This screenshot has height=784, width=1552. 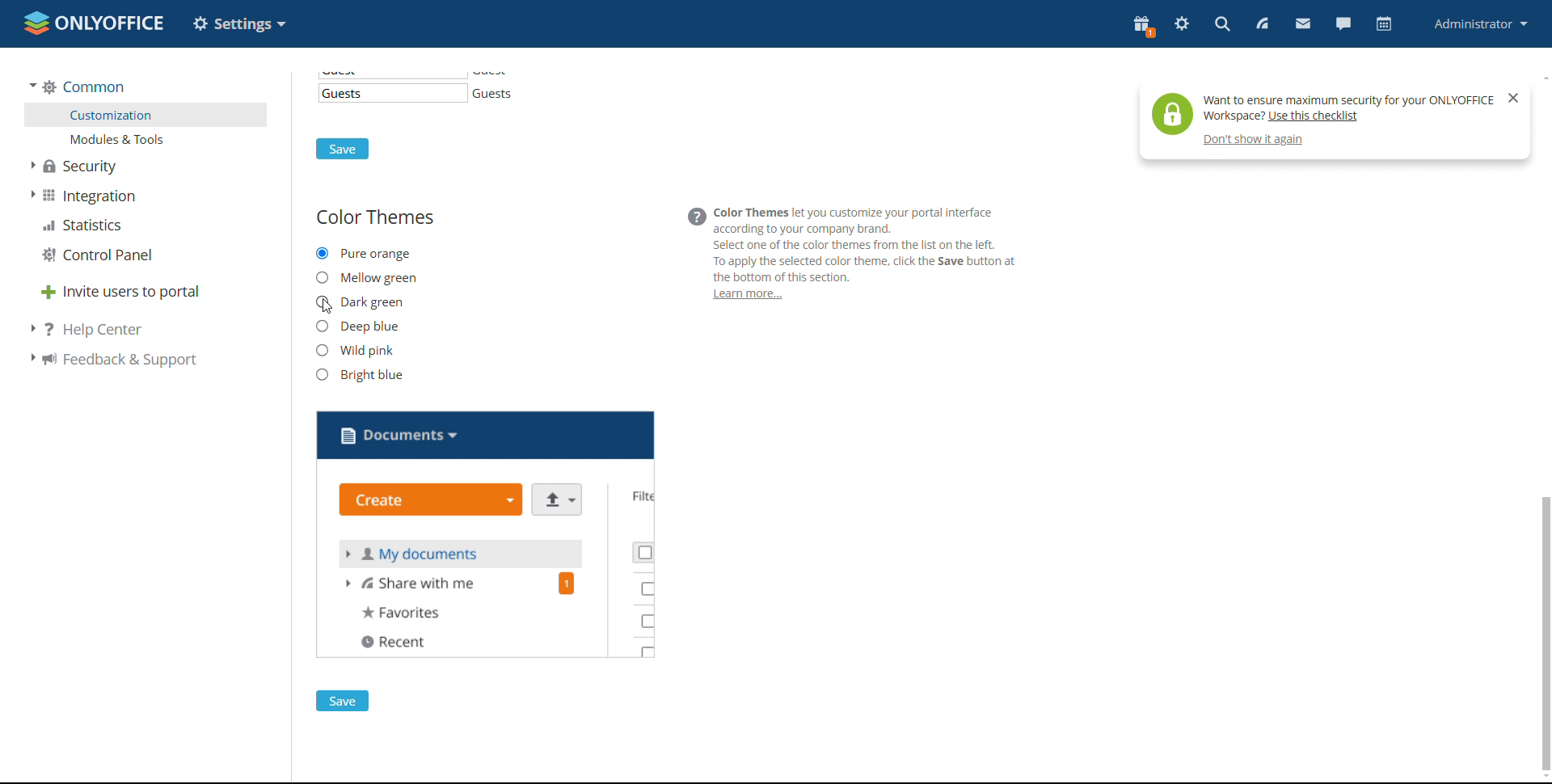 I want to click on close, so click(x=1513, y=98).